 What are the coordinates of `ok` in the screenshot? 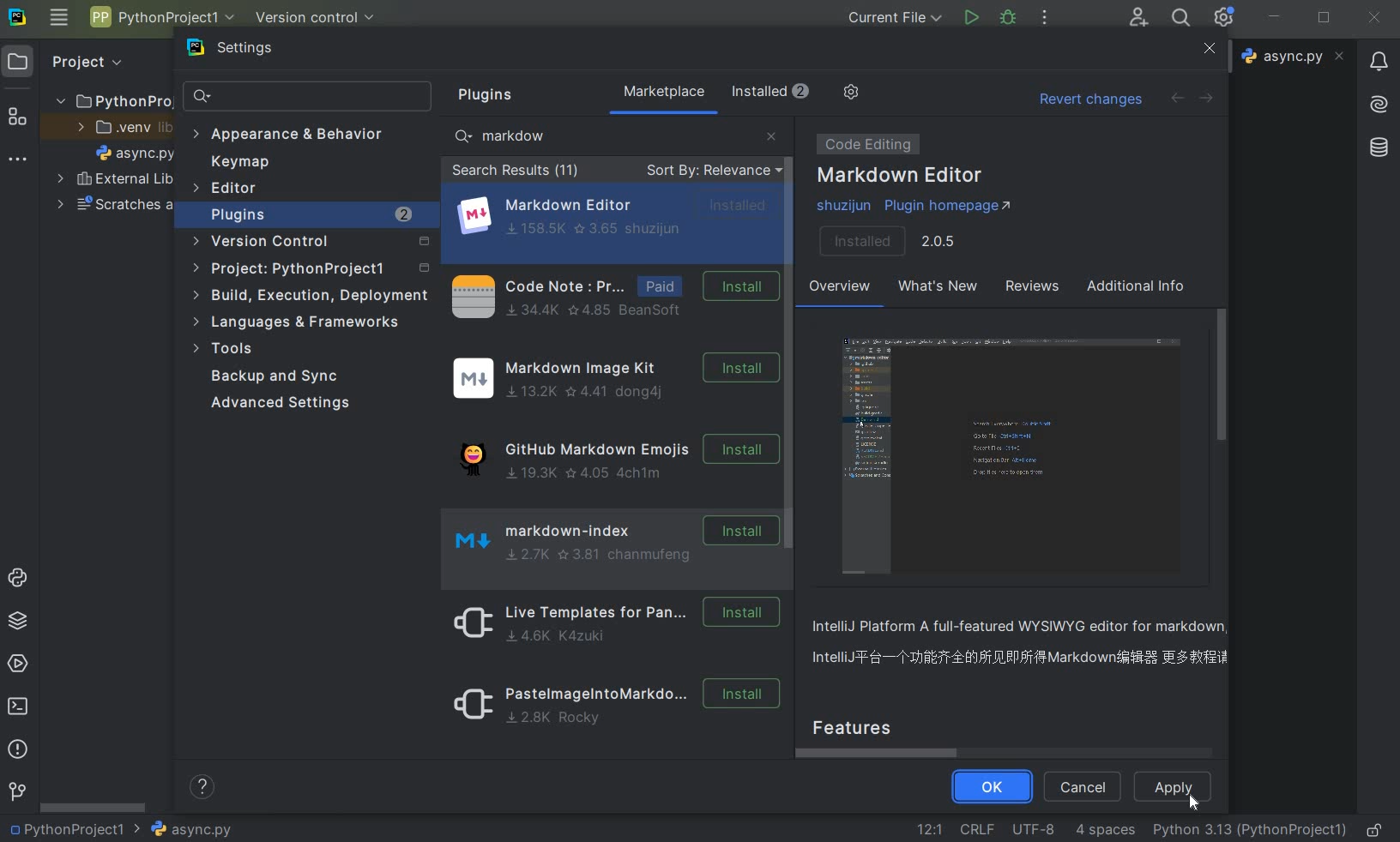 It's located at (990, 788).